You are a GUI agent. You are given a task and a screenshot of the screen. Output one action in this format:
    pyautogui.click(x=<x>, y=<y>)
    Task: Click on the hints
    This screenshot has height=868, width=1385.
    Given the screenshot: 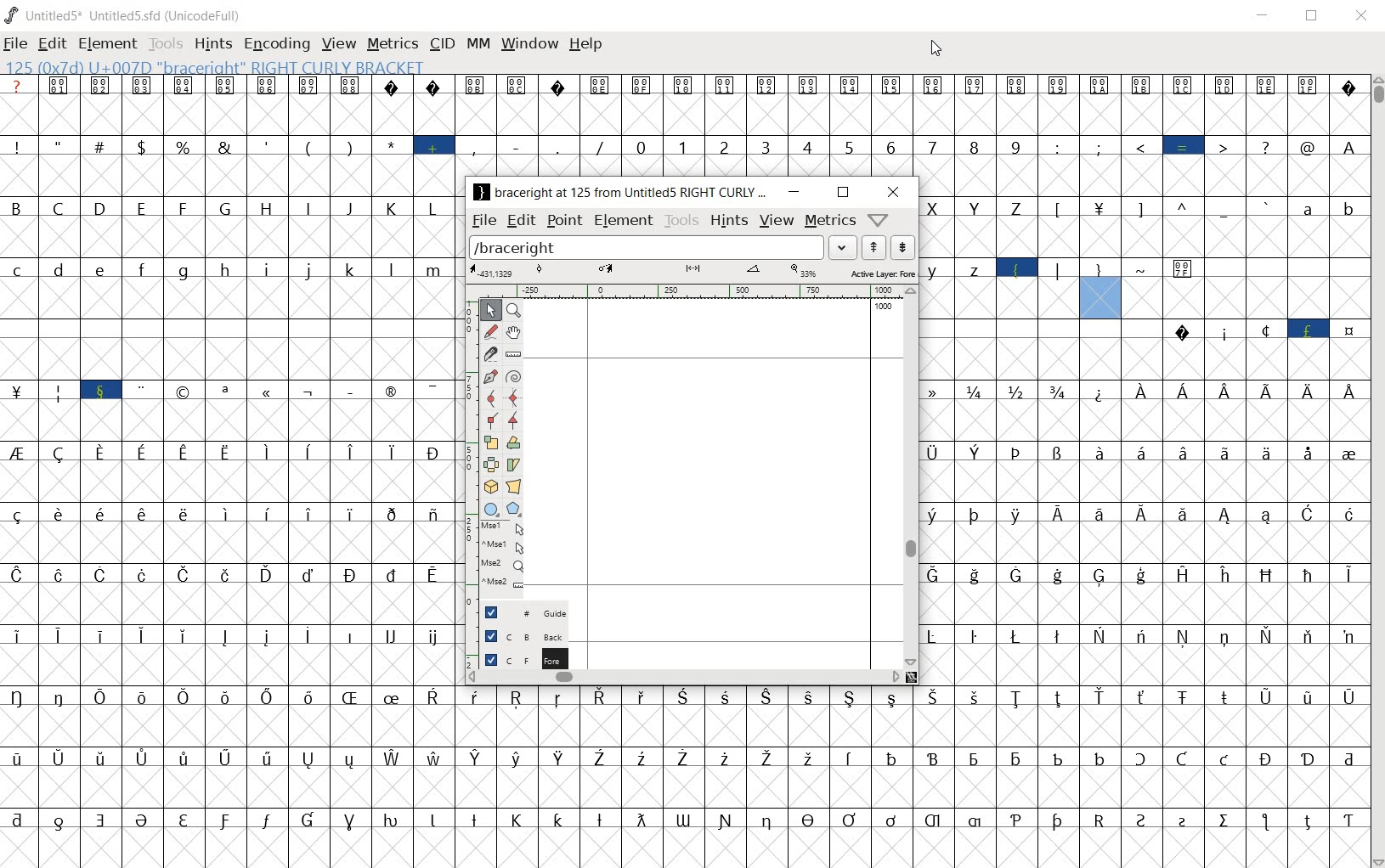 What is the action you would take?
    pyautogui.click(x=728, y=221)
    